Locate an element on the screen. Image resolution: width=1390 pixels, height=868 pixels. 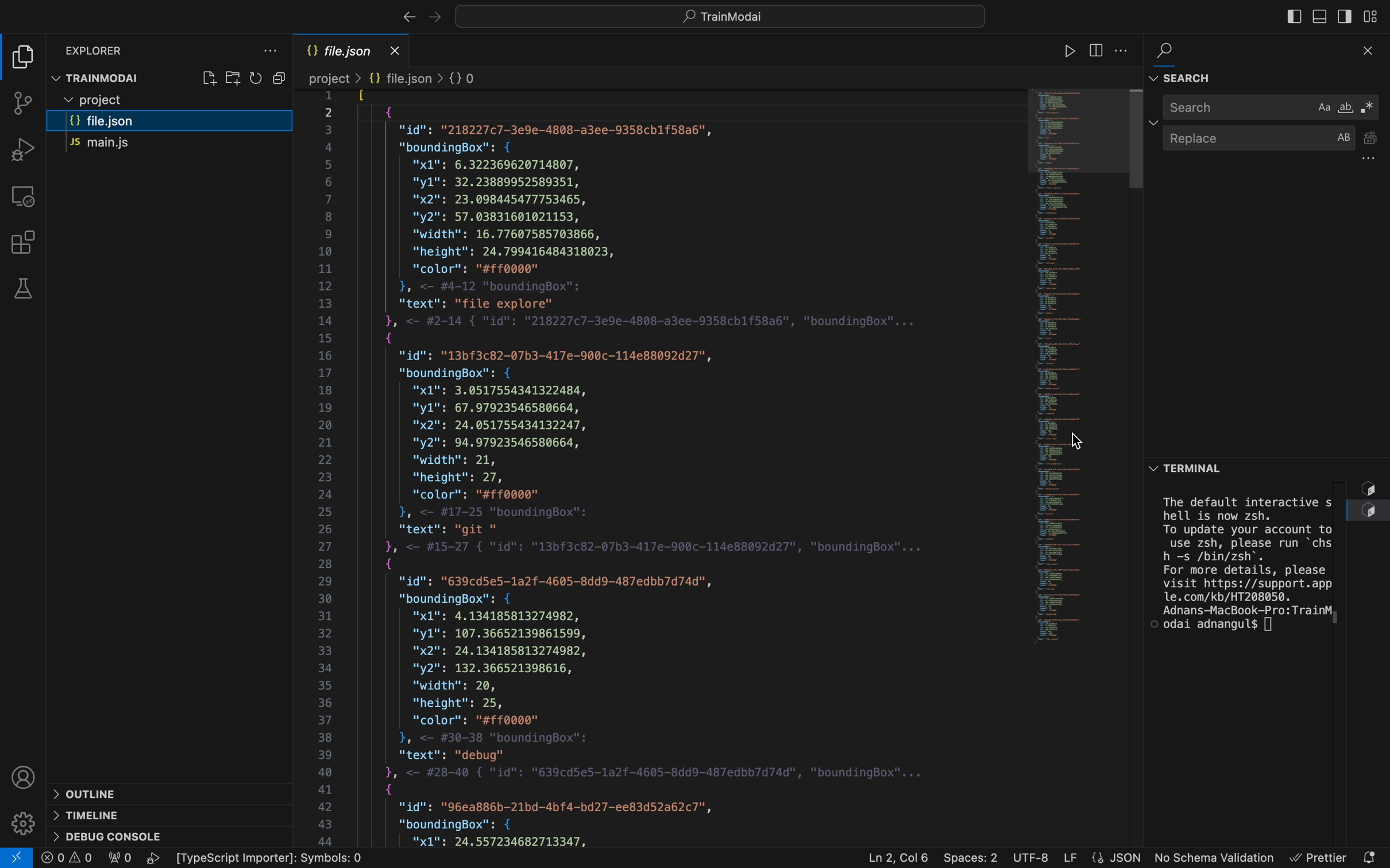
code runner is located at coordinates (1081, 48).